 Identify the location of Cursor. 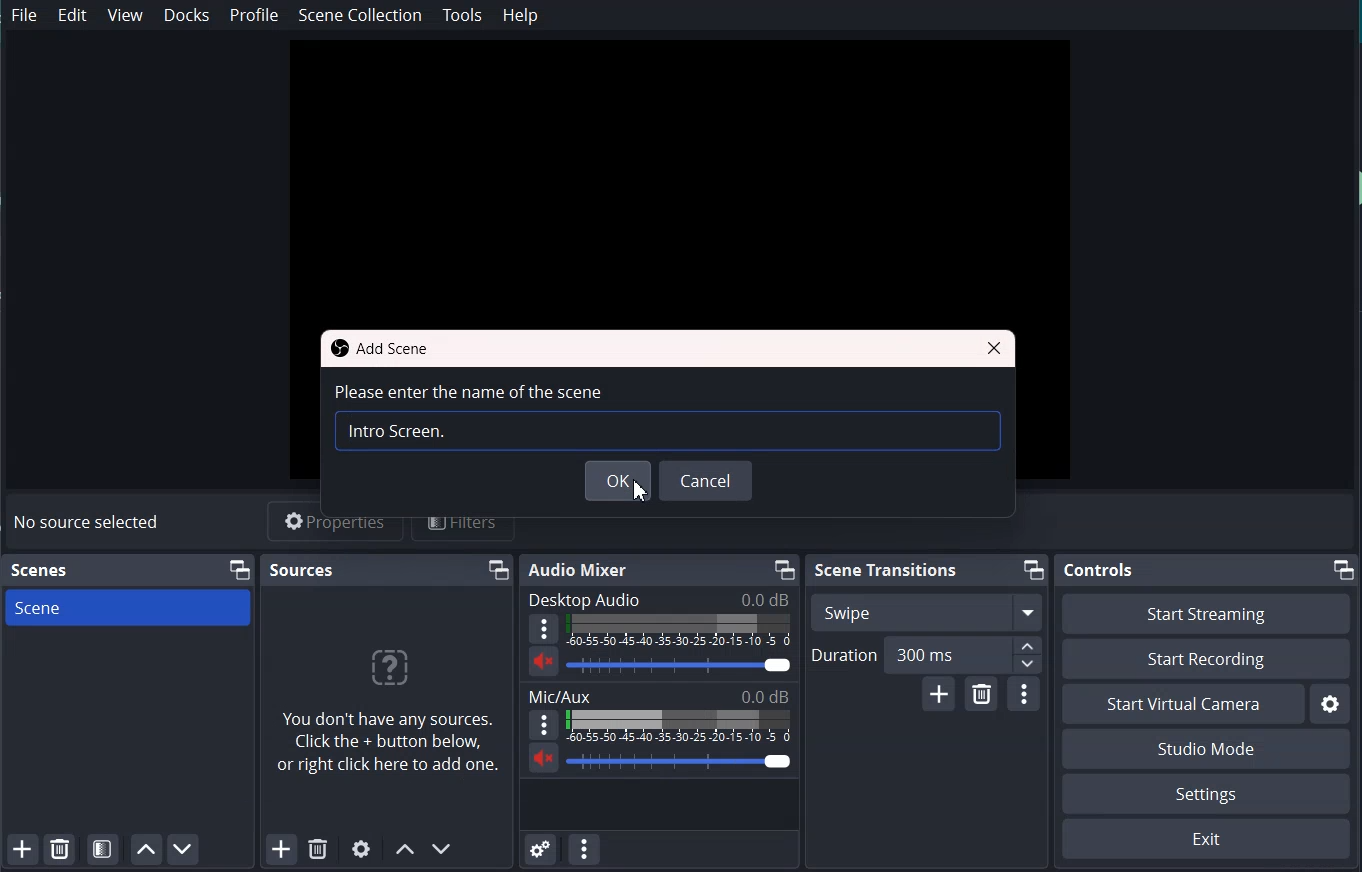
(643, 490).